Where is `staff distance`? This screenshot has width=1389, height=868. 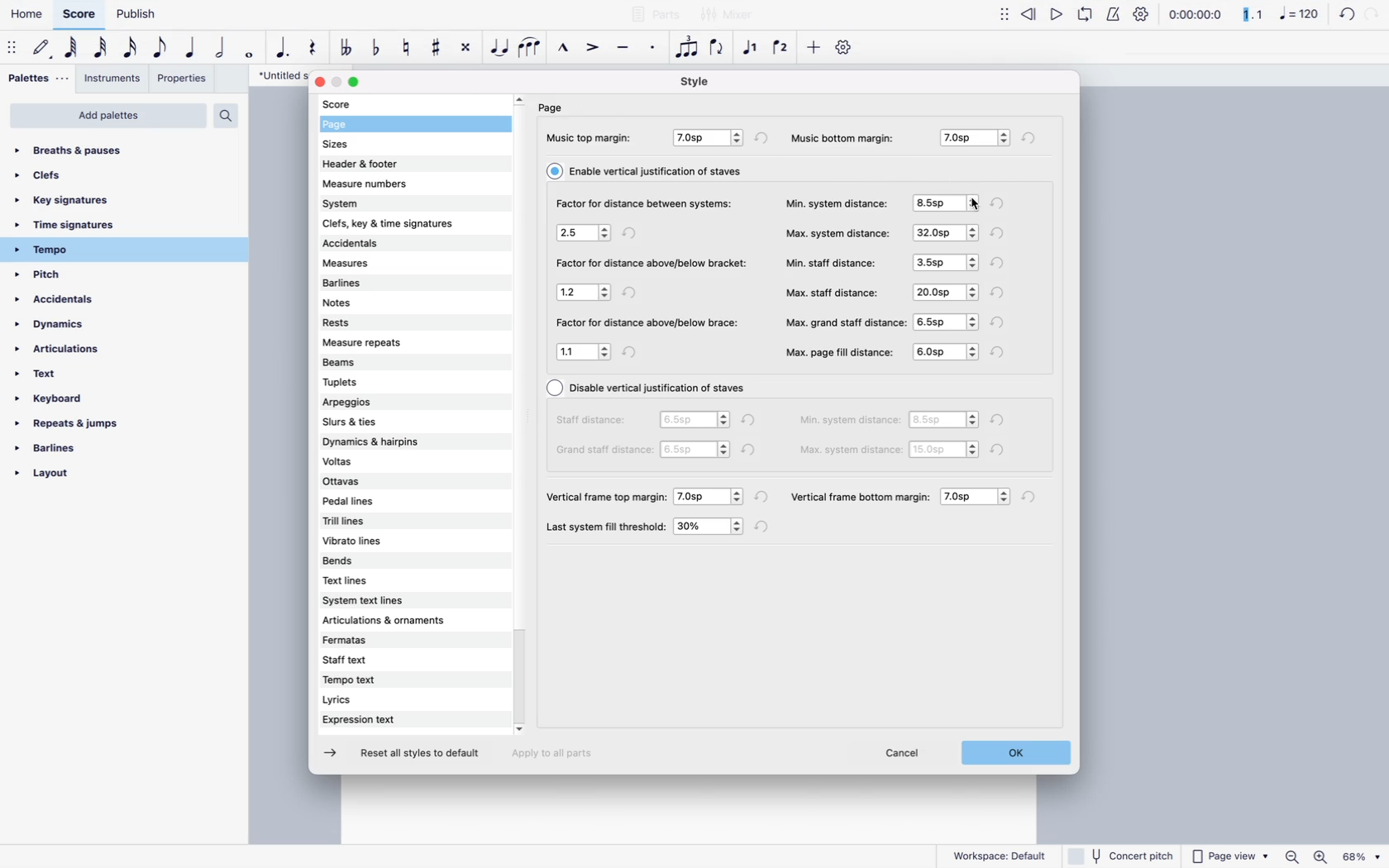
staff distance is located at coordinates (594, 419).